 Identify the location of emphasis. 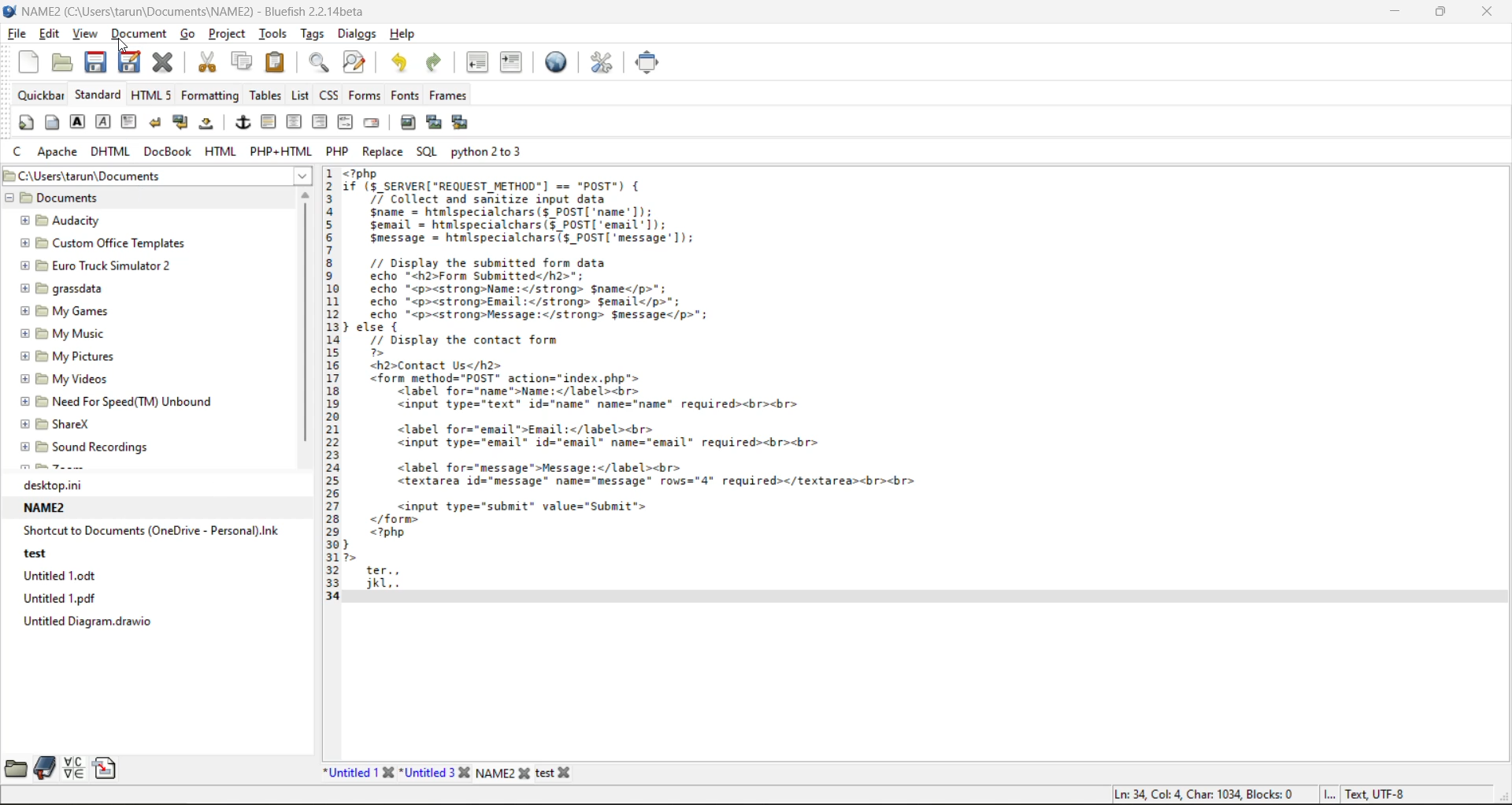
(104, 123).